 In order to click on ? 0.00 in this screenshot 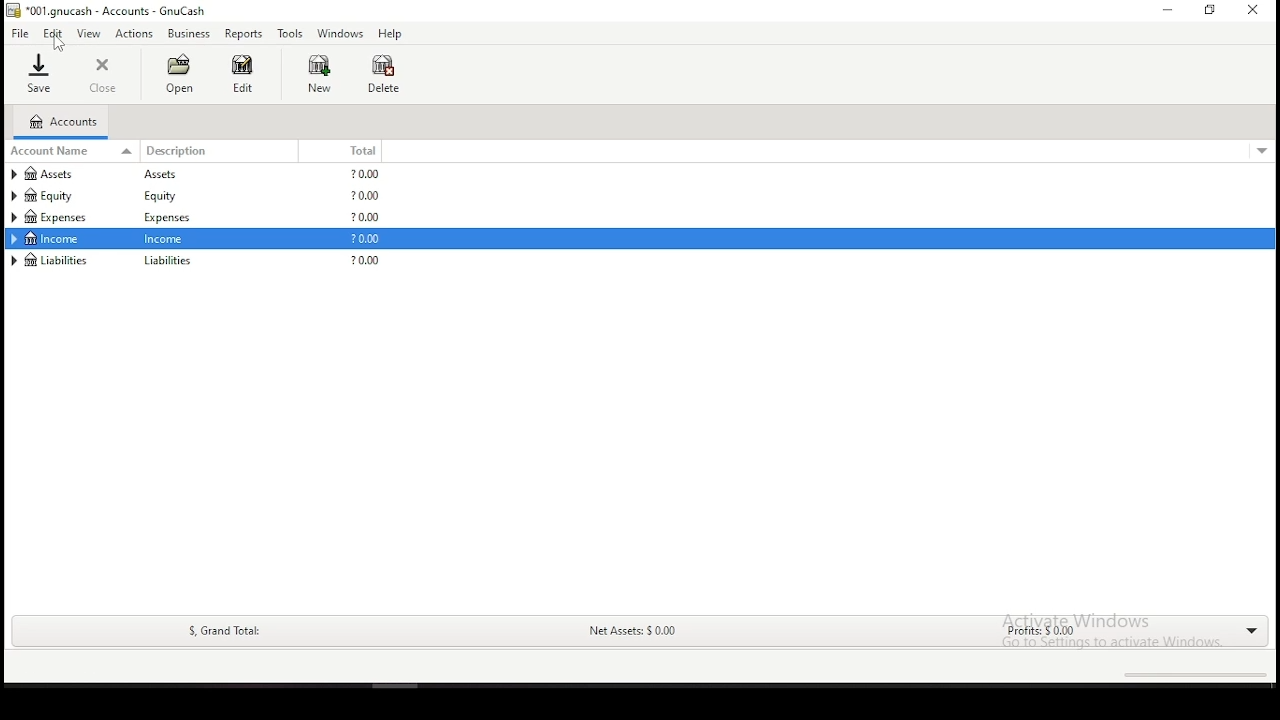, I will do `click(362, 262)`.